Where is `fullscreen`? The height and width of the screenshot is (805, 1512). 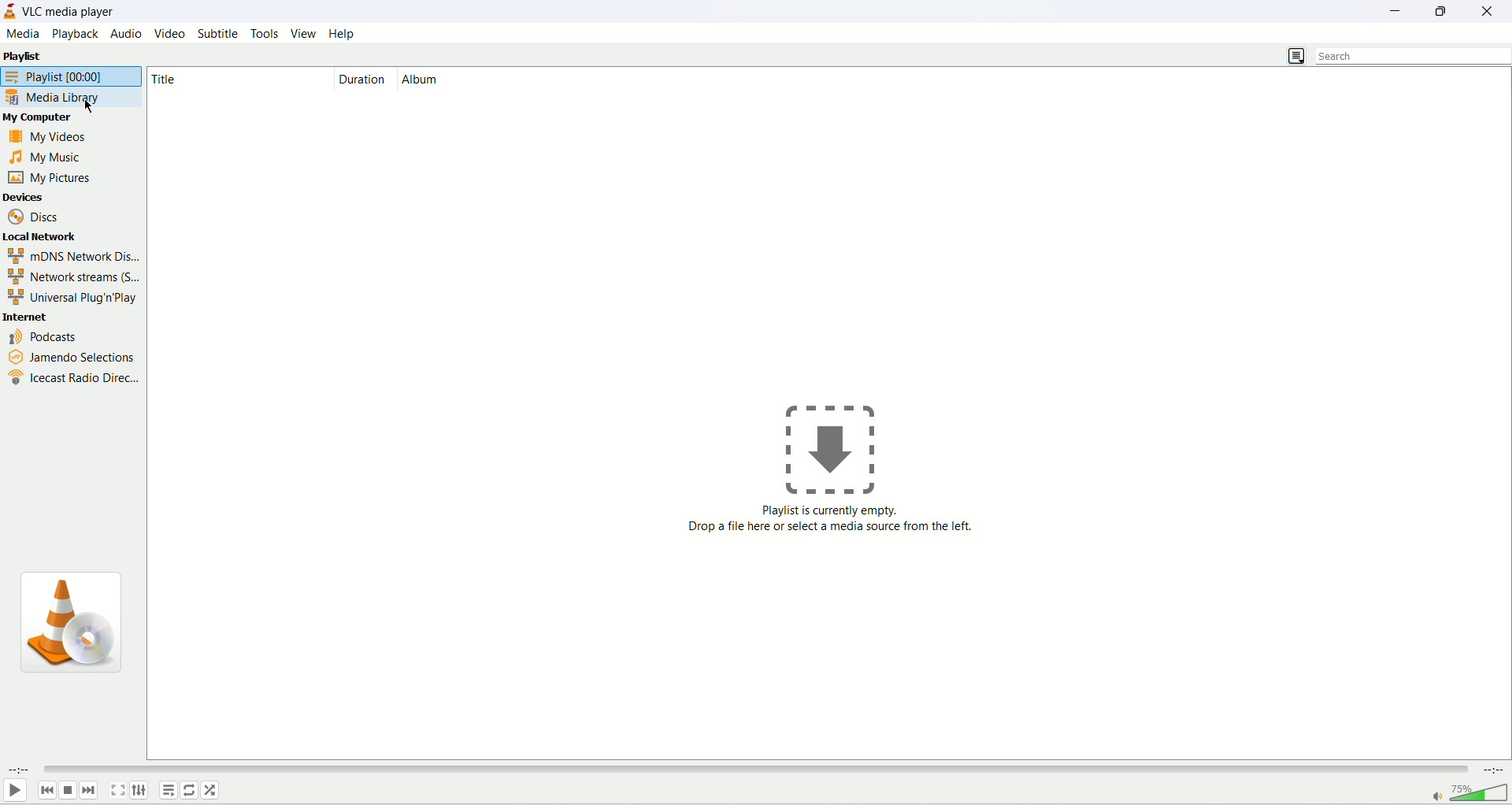 fullscreen is located at coordinates (117, 790).